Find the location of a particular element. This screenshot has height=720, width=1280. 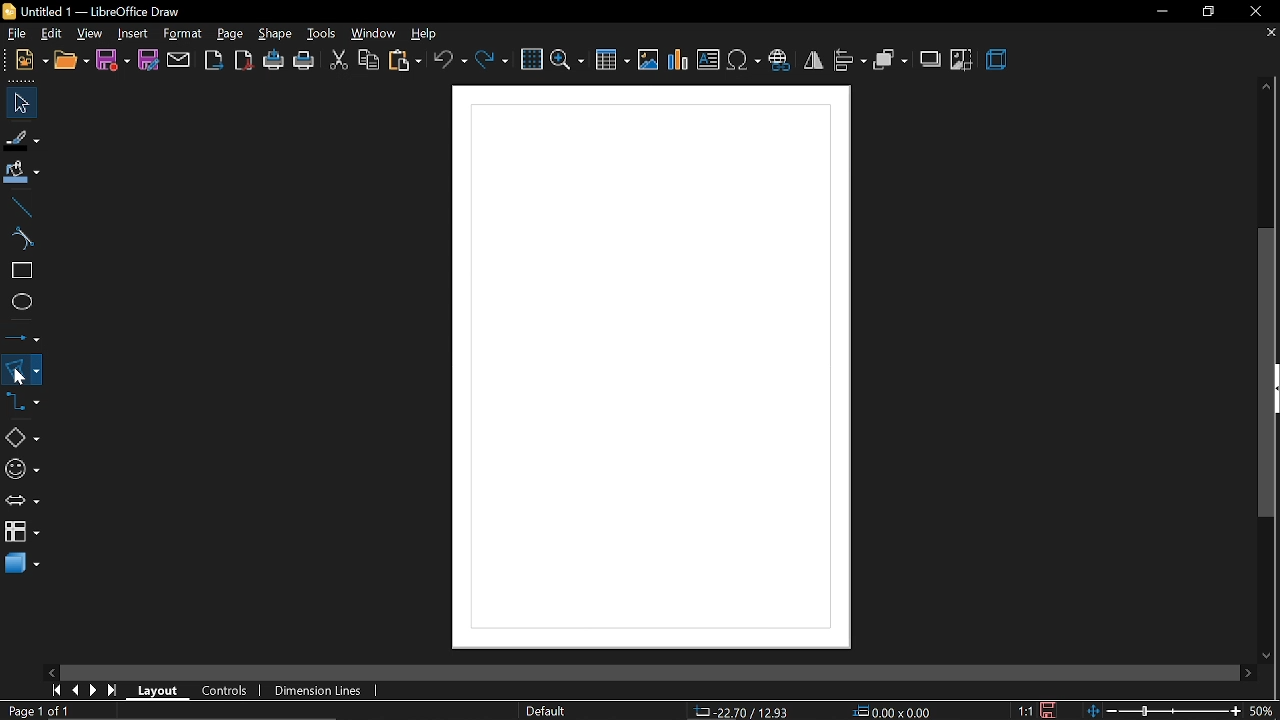

flowchart is located at coordinates (21, 532).